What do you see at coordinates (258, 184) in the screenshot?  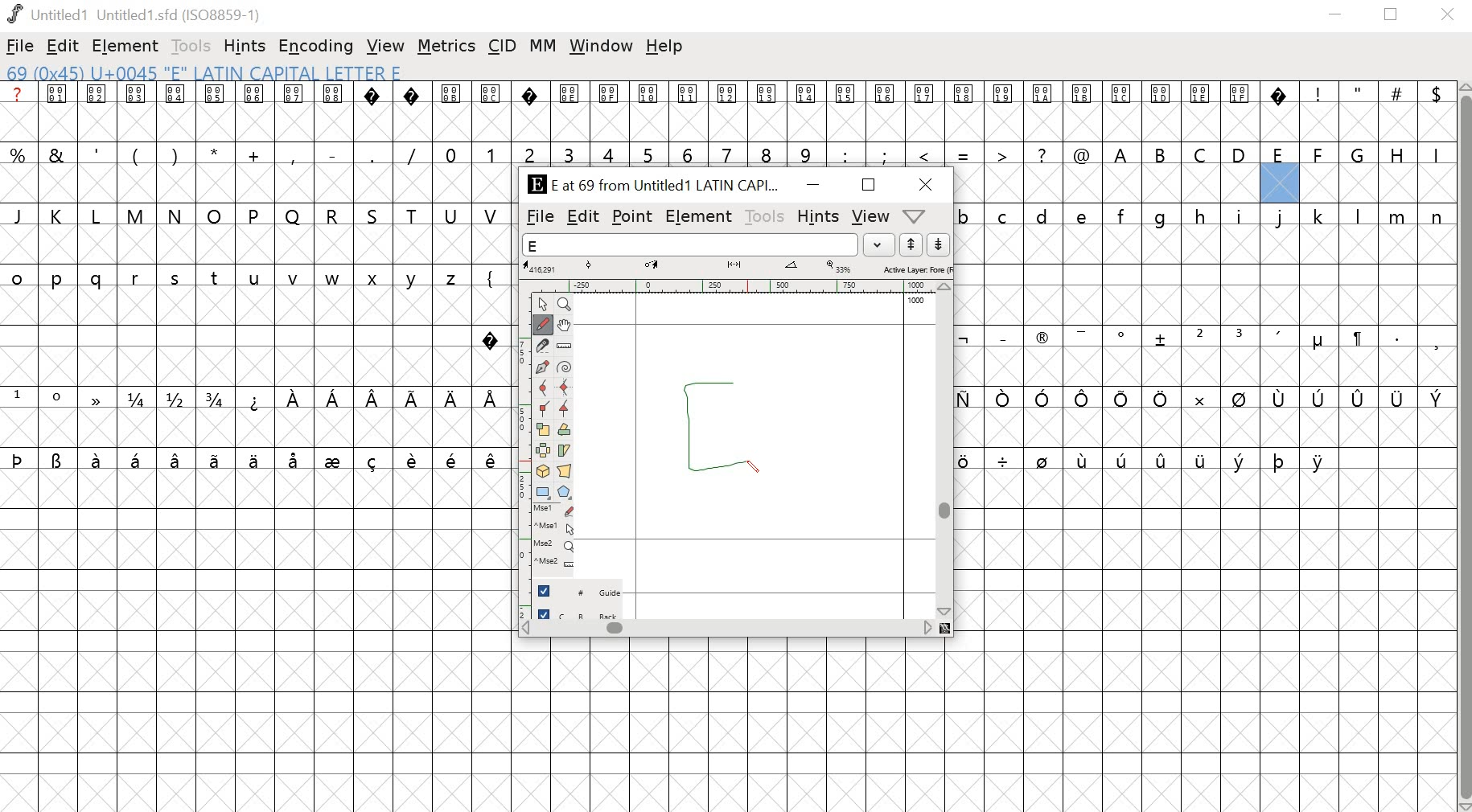 I see `empty cells` at bounding box center [258, 184].